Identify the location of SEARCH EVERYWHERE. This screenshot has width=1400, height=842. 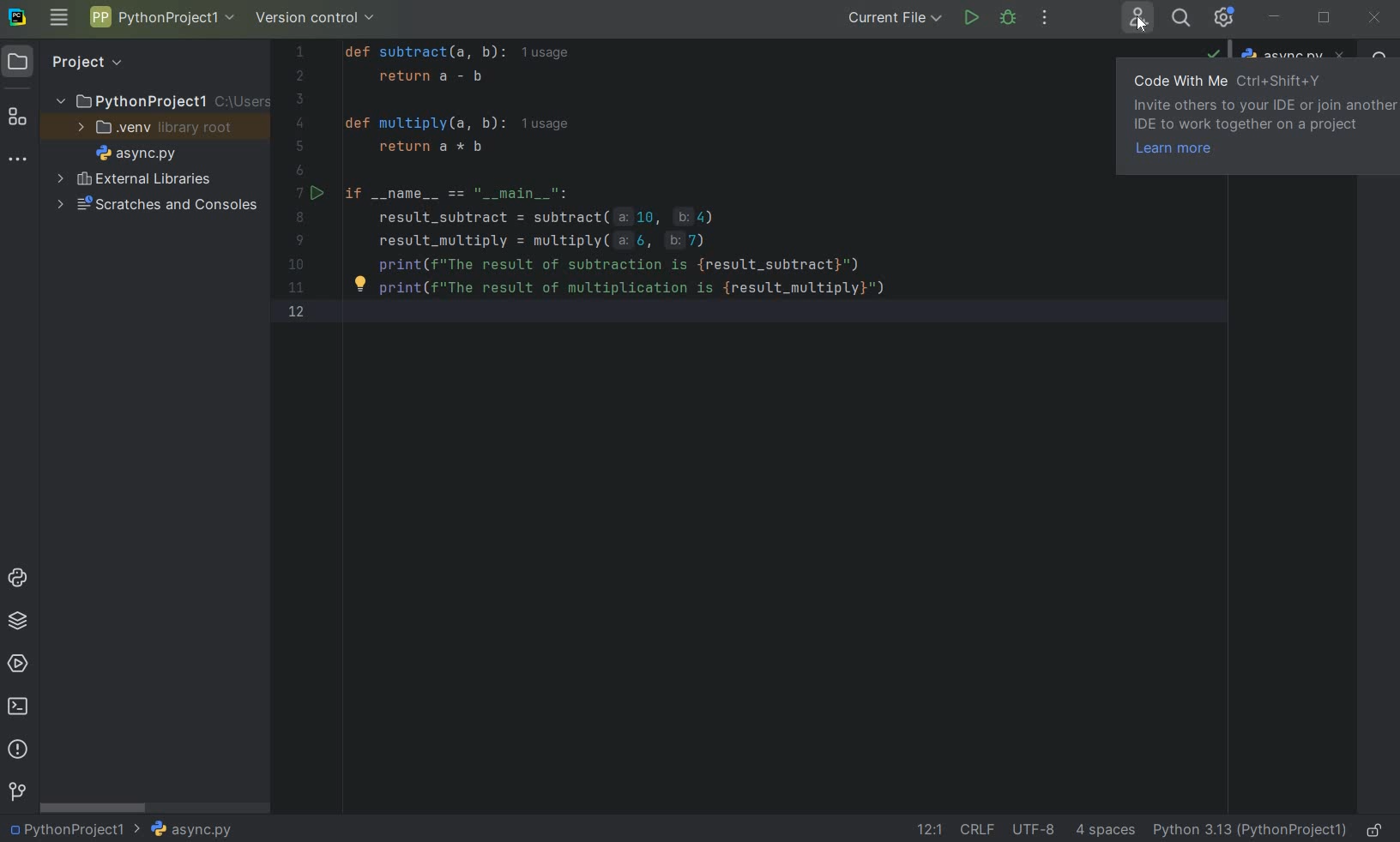
(1185, 18).